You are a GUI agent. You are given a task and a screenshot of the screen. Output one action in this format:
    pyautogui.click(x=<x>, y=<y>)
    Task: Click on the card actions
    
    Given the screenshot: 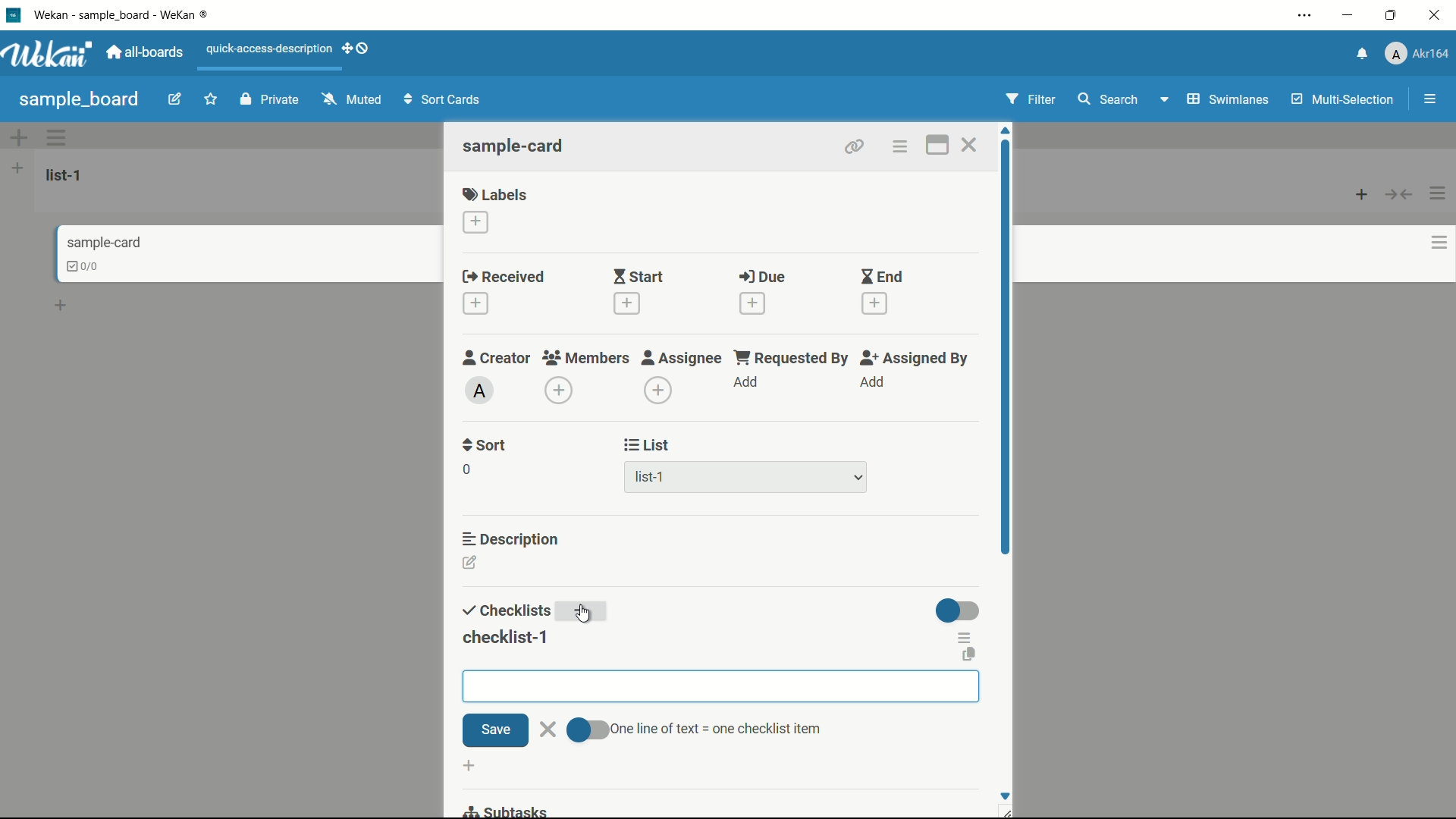 What is the action you would take?
    pyautogui.click(x=1439, y=243)
    